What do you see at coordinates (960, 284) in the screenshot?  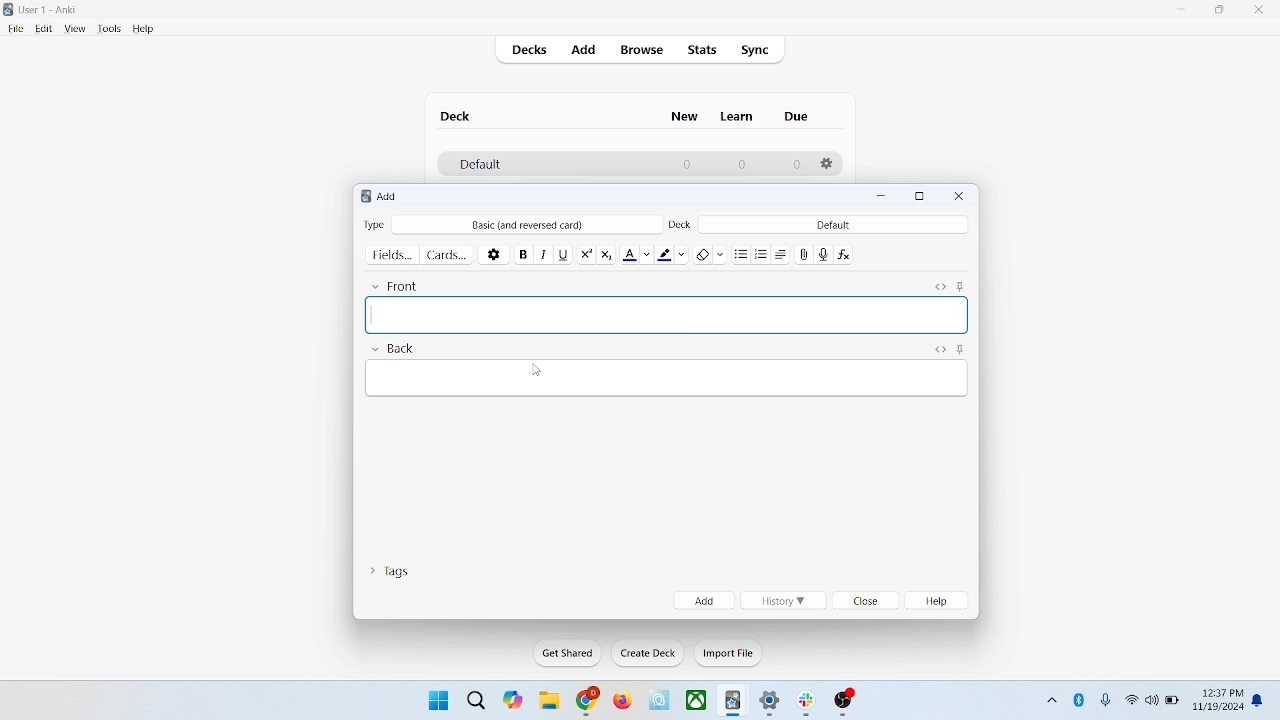 I see `sticky` at bounding box center [960, 284].